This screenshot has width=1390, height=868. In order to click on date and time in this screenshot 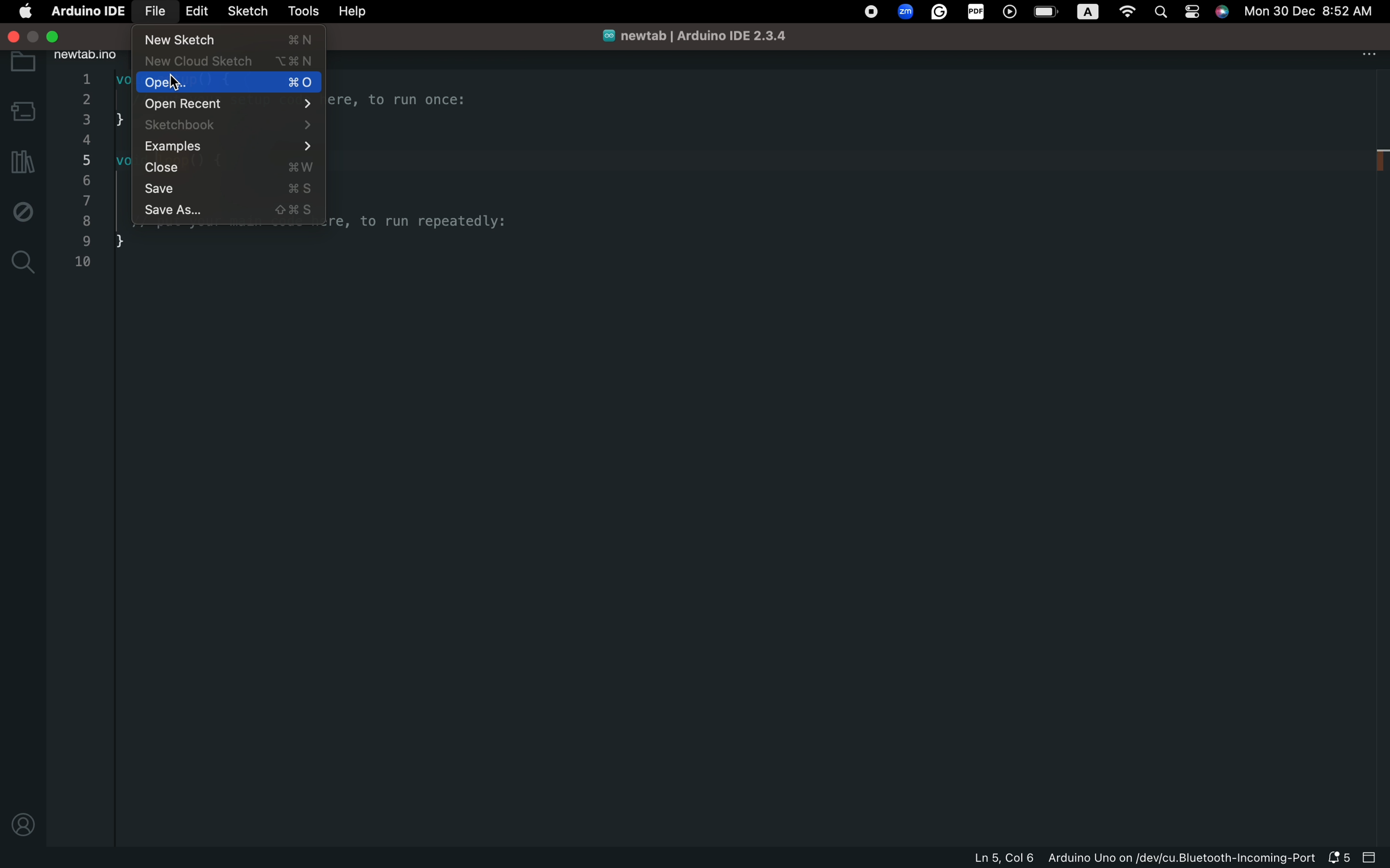, I will do `click(1311, 13)`.